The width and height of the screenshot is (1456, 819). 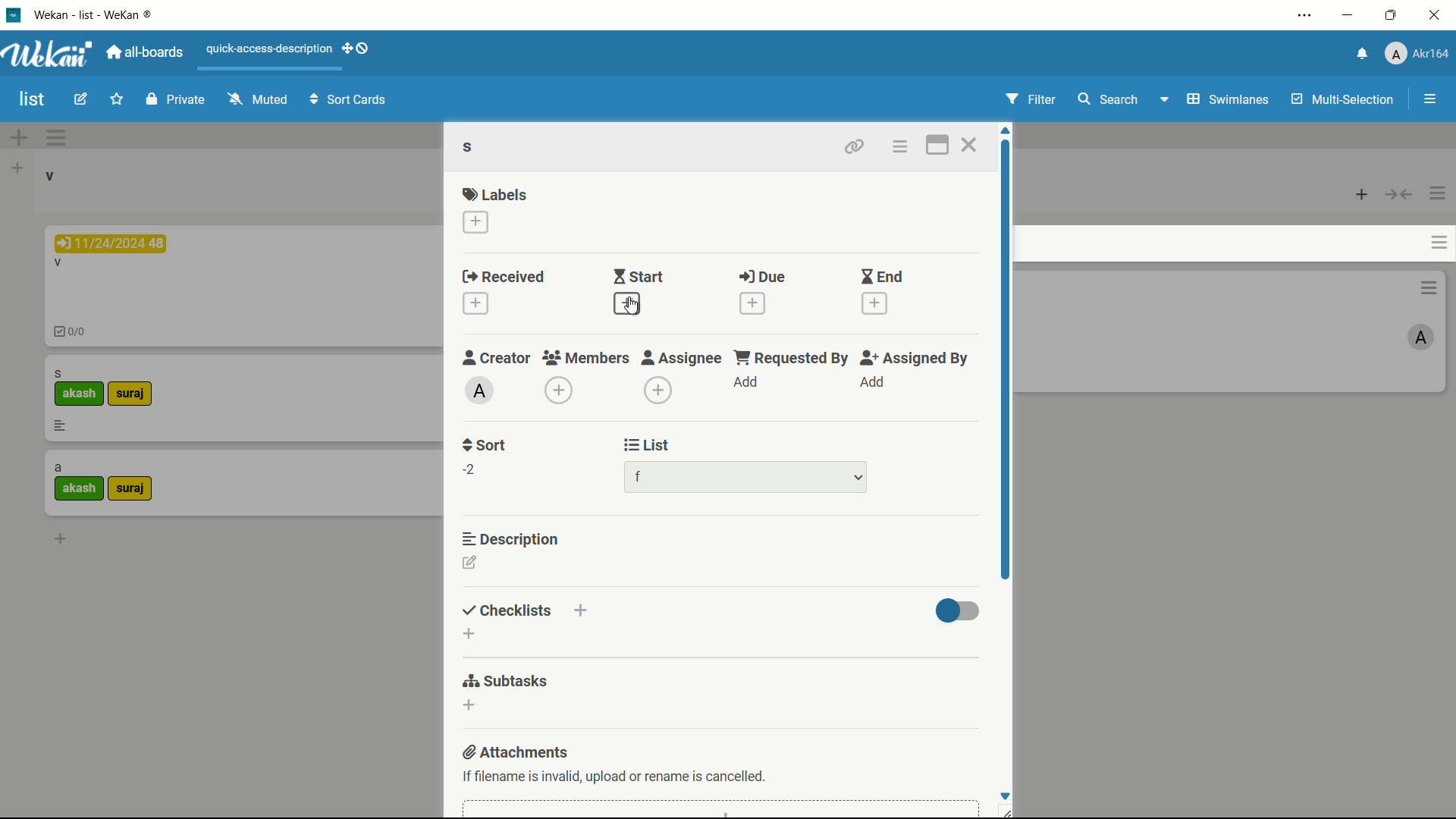 What do you see at coordinates (1229, 99) in the screenshot?
I see `swimlanes` at bounding box center [1229, 99].